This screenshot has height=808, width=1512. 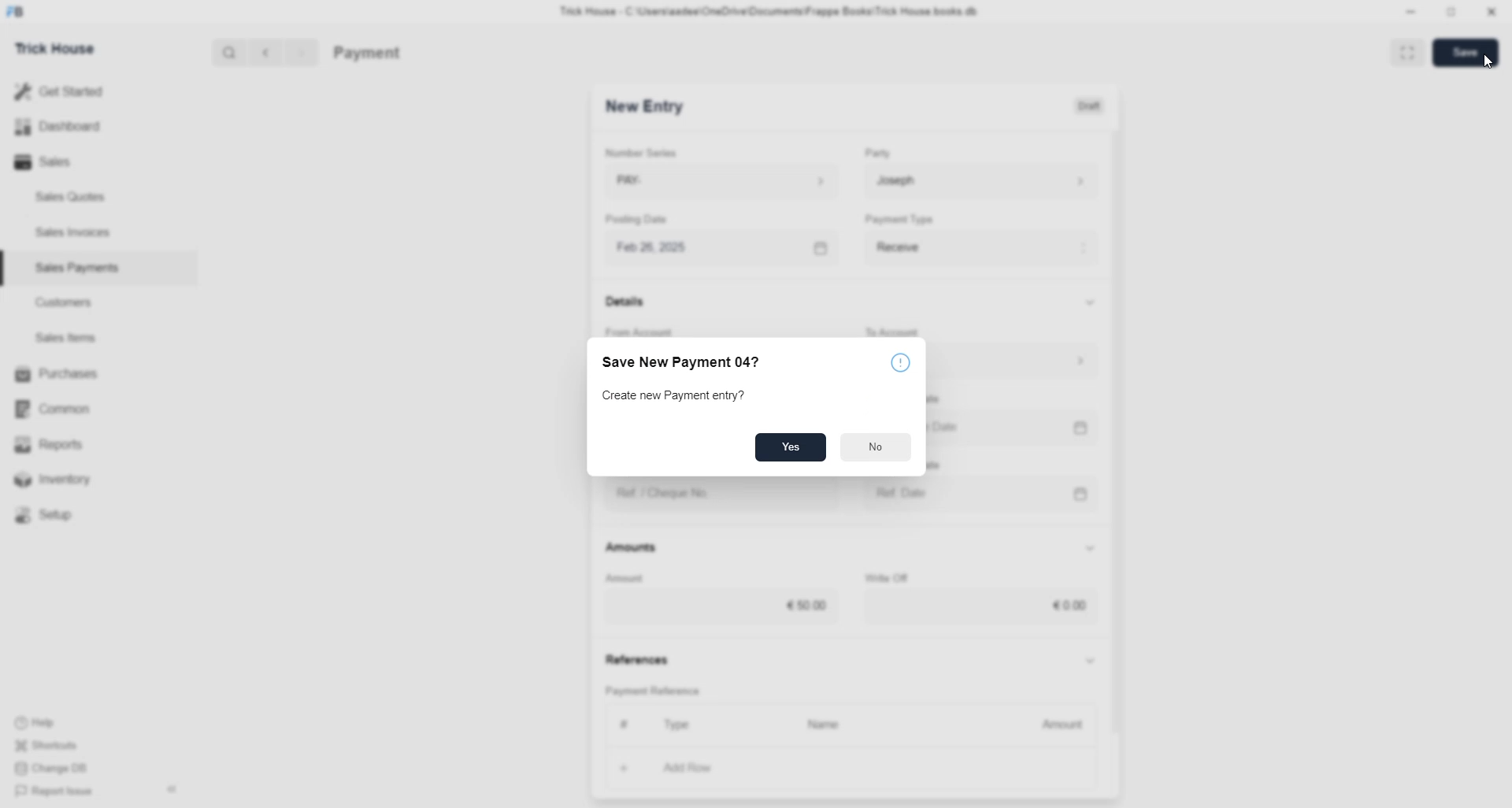 I want to click on Sales Payments, so click(x=80, y=268).